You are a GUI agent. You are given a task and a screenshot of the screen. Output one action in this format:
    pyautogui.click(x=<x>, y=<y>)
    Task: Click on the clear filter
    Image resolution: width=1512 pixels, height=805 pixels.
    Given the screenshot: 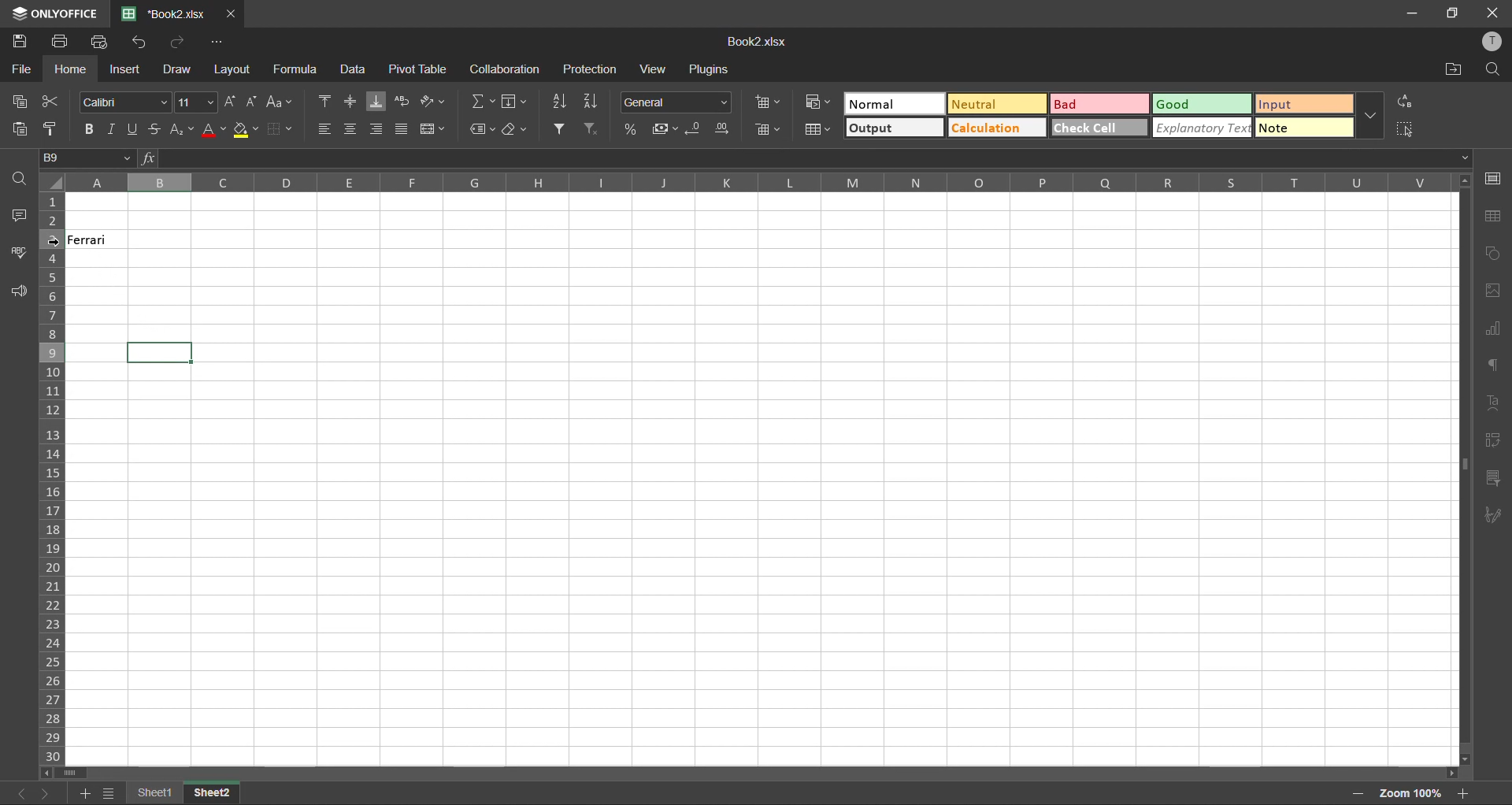 What is the action you would take?
    pyautogui.click(x=590, y=131)
    